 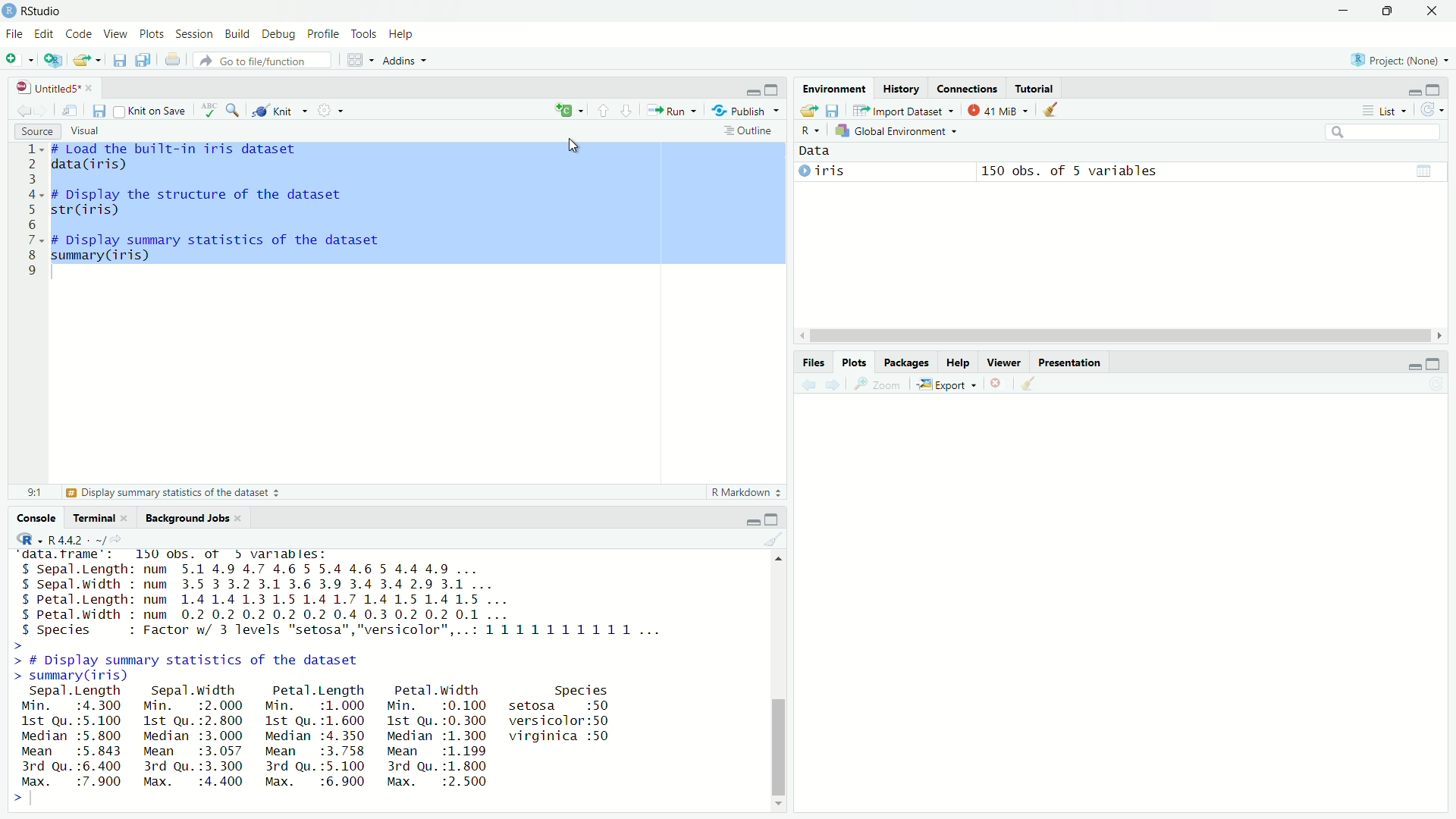 I want to click on Export log history, so click(x=811, y=109).